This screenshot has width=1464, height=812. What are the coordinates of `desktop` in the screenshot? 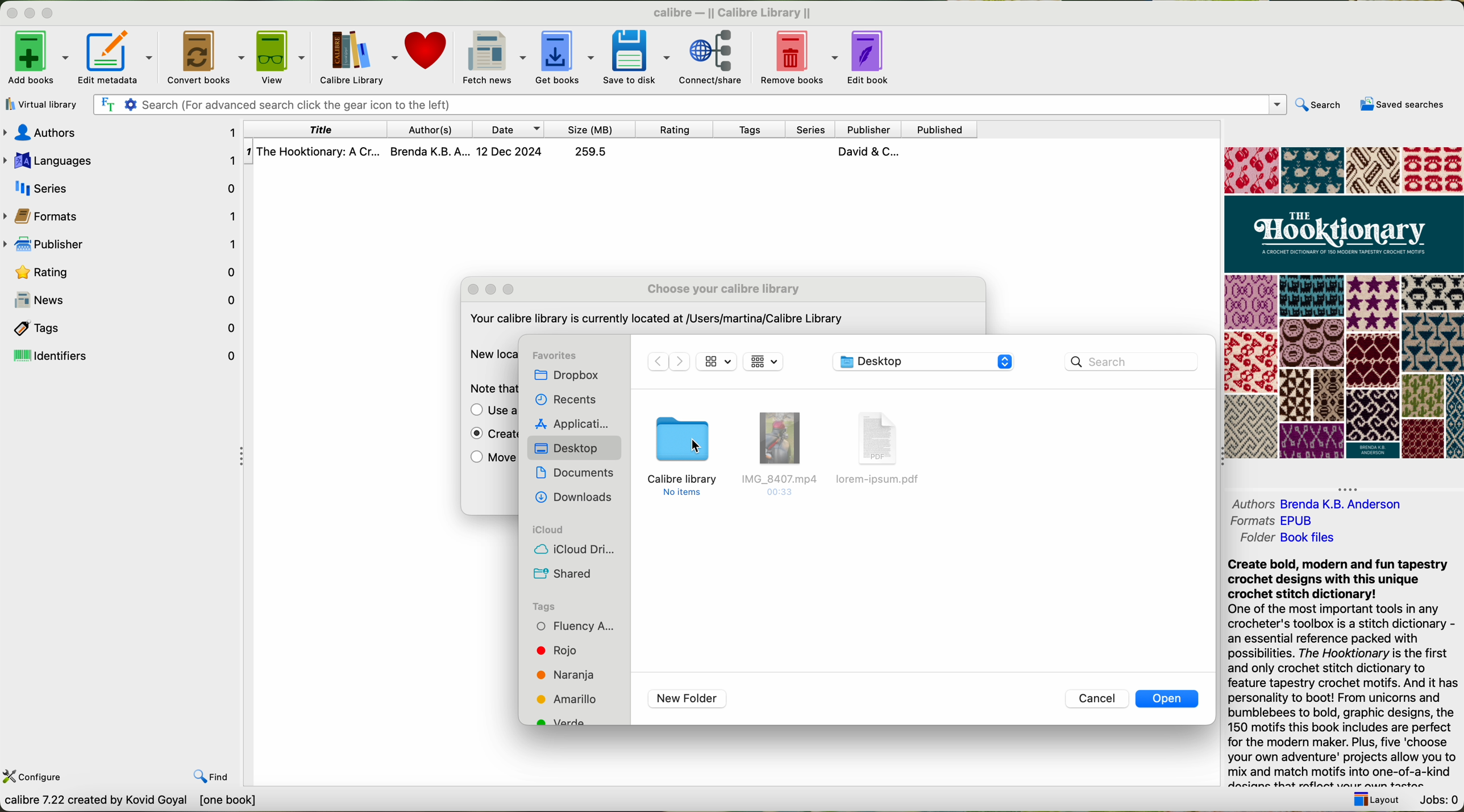 It's located at (928, 362).